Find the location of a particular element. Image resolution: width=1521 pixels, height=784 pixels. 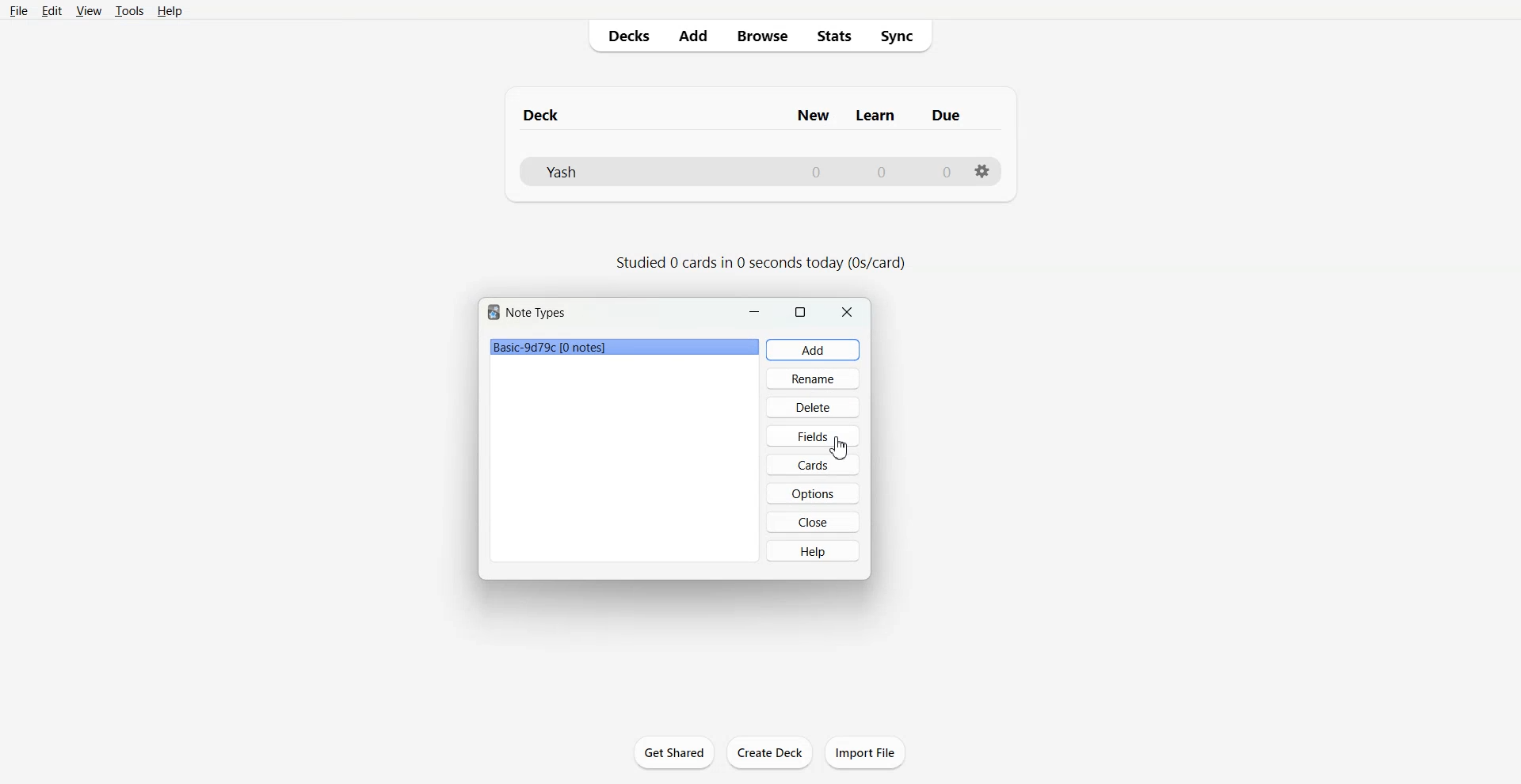

Sync is located at coordinates (902, 36).